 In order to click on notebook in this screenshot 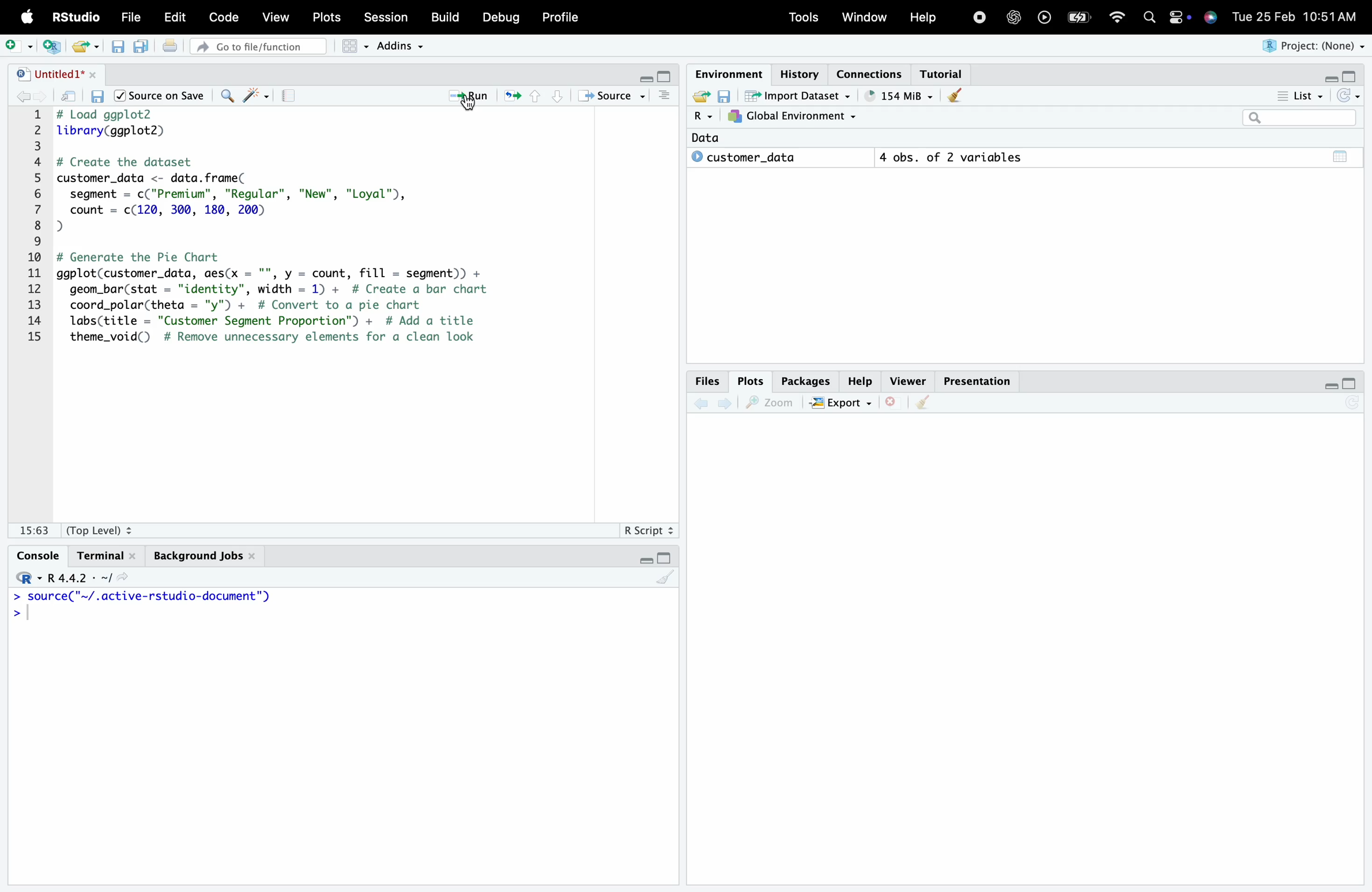, I will do `click(293, 98)`.